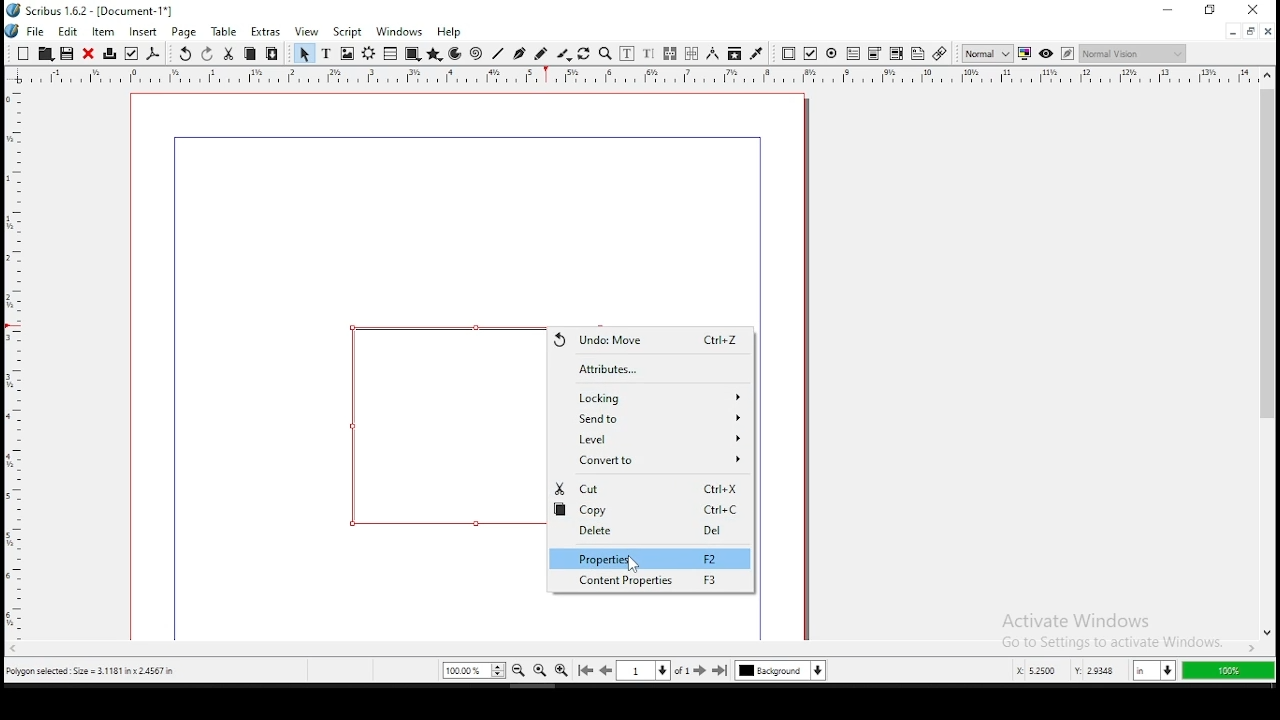 The image size is (1280, 720). I want to click on close, so click(88, 54).